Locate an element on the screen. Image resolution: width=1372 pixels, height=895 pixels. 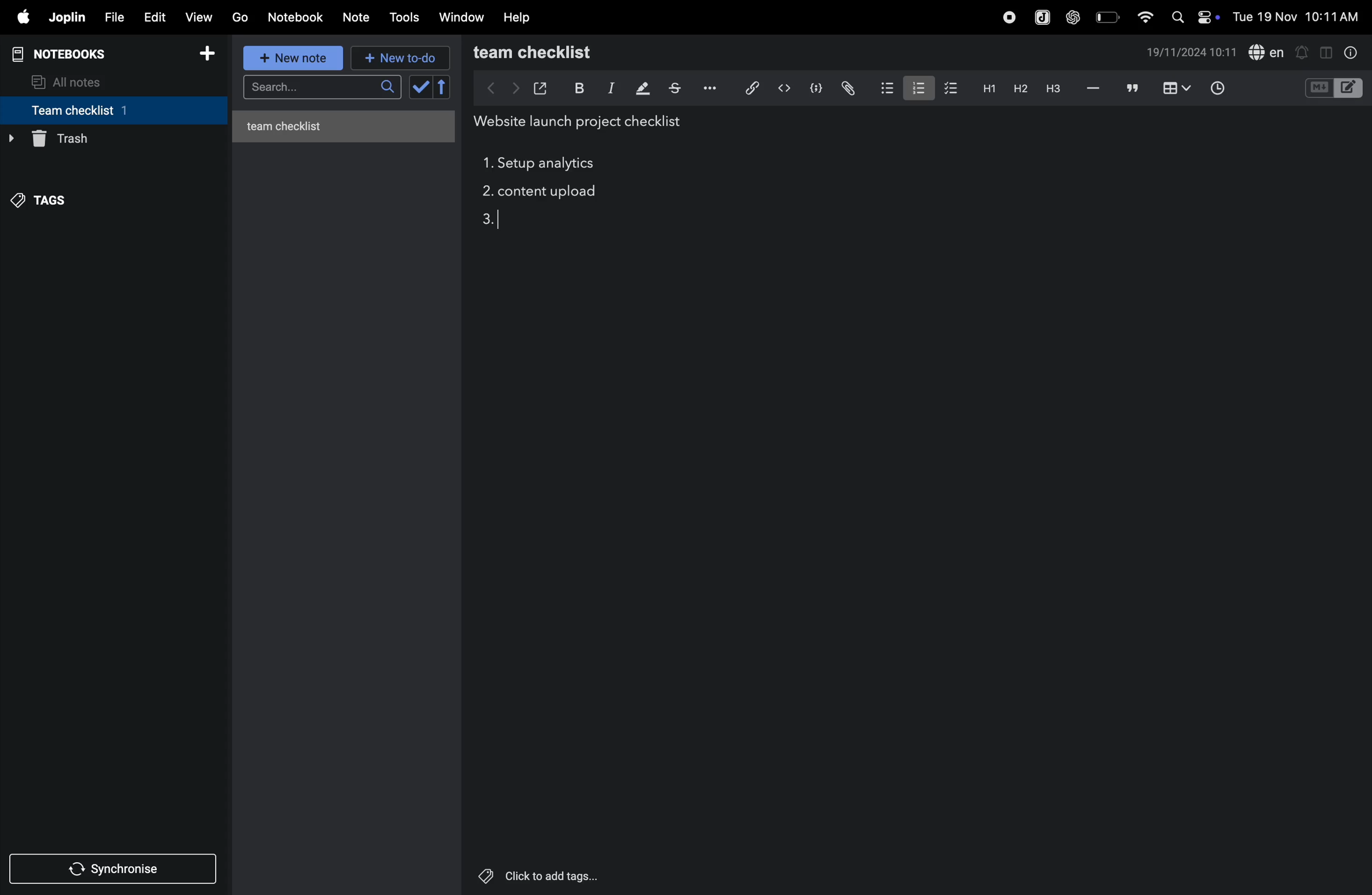
on/off is located at coordinates (1211, 17).